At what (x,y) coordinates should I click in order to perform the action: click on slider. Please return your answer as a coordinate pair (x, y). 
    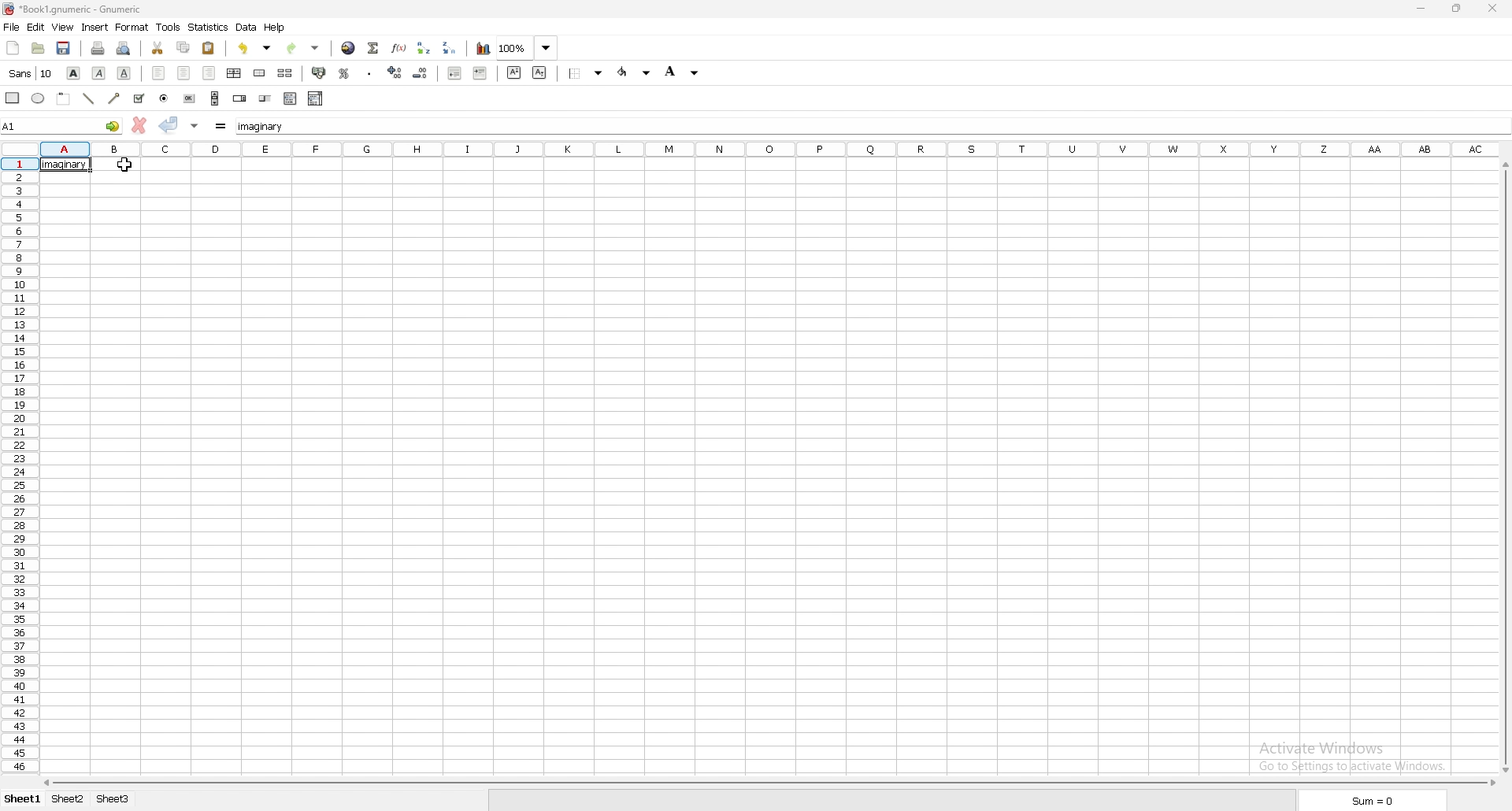
    Looking at the image, I should click on (265, 98).